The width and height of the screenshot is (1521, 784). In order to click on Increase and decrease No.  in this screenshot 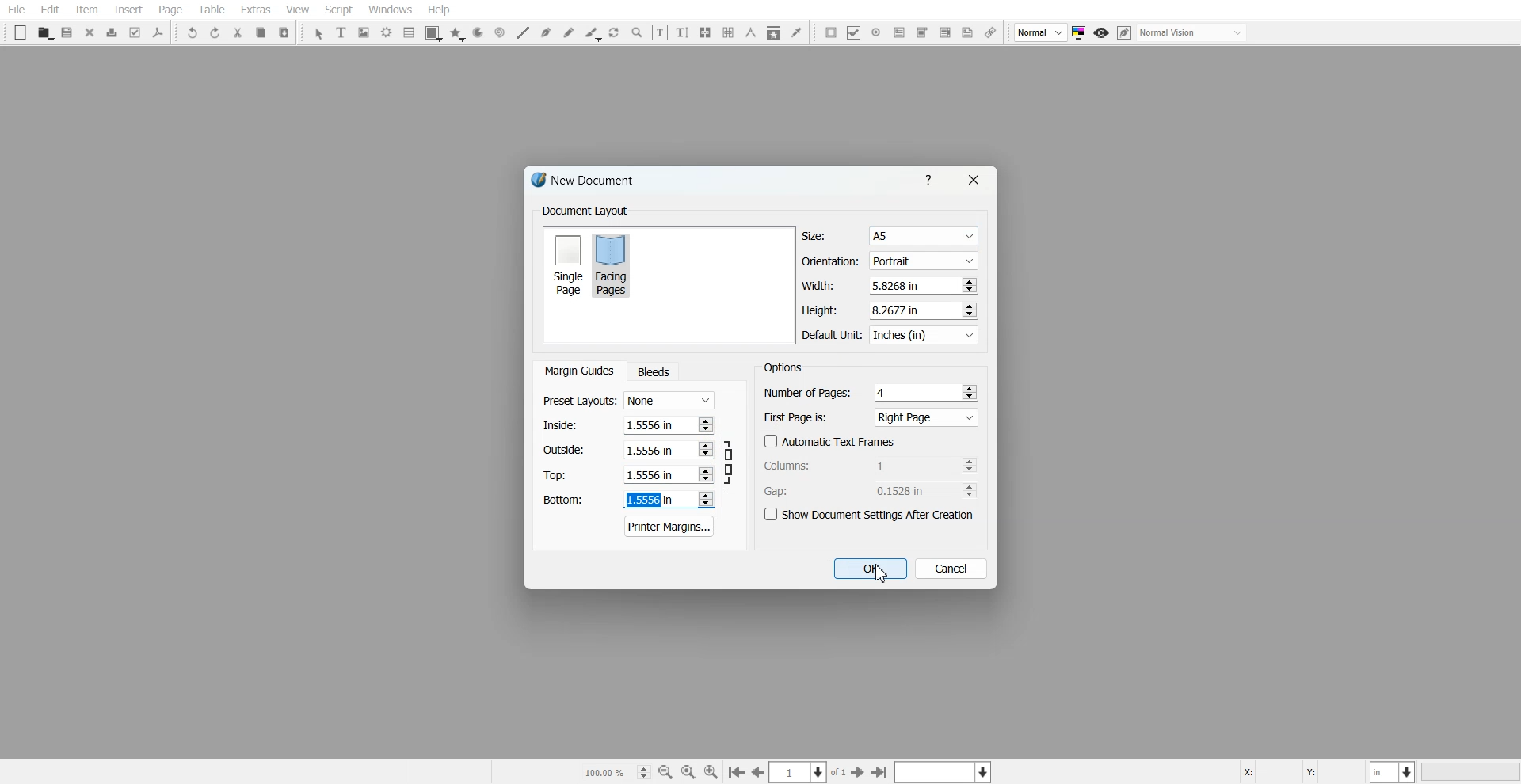, I will do `click(970, 490)`.